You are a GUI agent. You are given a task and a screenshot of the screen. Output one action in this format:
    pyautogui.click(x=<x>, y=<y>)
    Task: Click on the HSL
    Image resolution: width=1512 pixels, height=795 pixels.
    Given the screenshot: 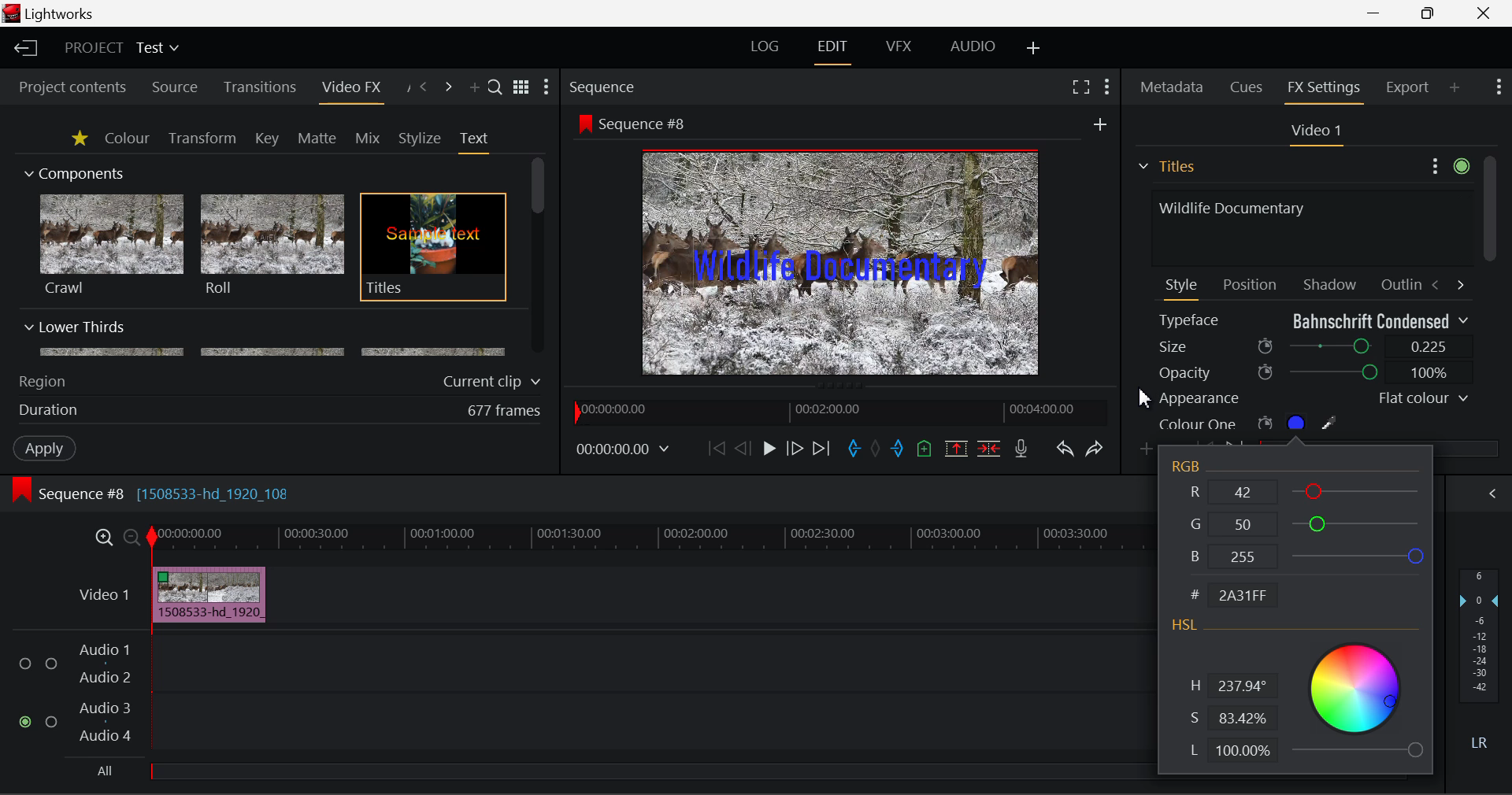 What is the action you would take?
    pyautogui.click(x=1185, y=627)
    